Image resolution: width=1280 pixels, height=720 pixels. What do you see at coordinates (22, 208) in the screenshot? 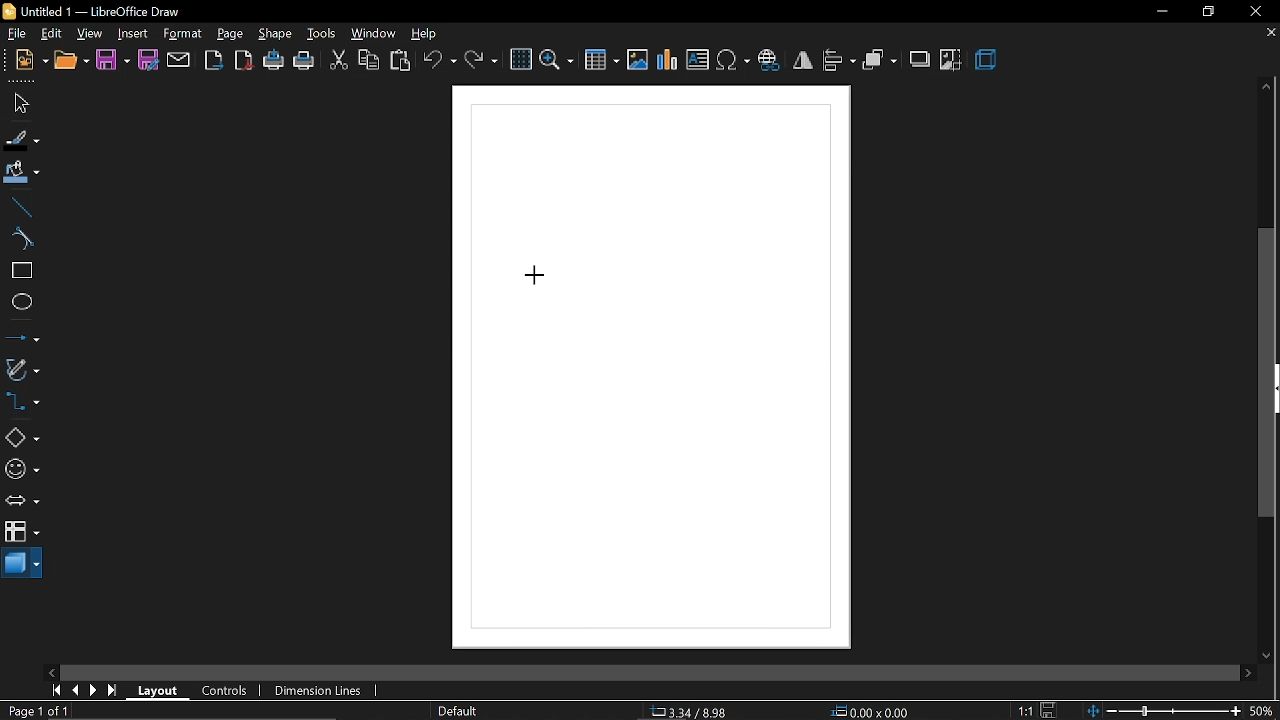
I see `line` at bounding box center [22, 208].